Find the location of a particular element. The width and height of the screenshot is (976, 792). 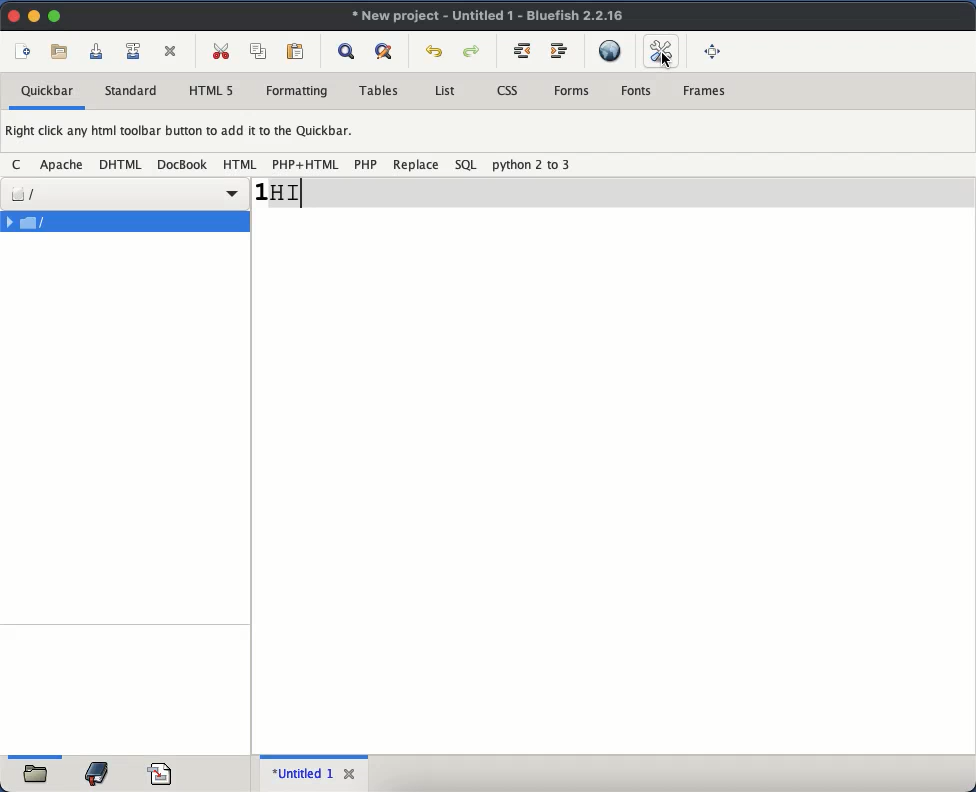

docbook is located at coordinates (182, 164).